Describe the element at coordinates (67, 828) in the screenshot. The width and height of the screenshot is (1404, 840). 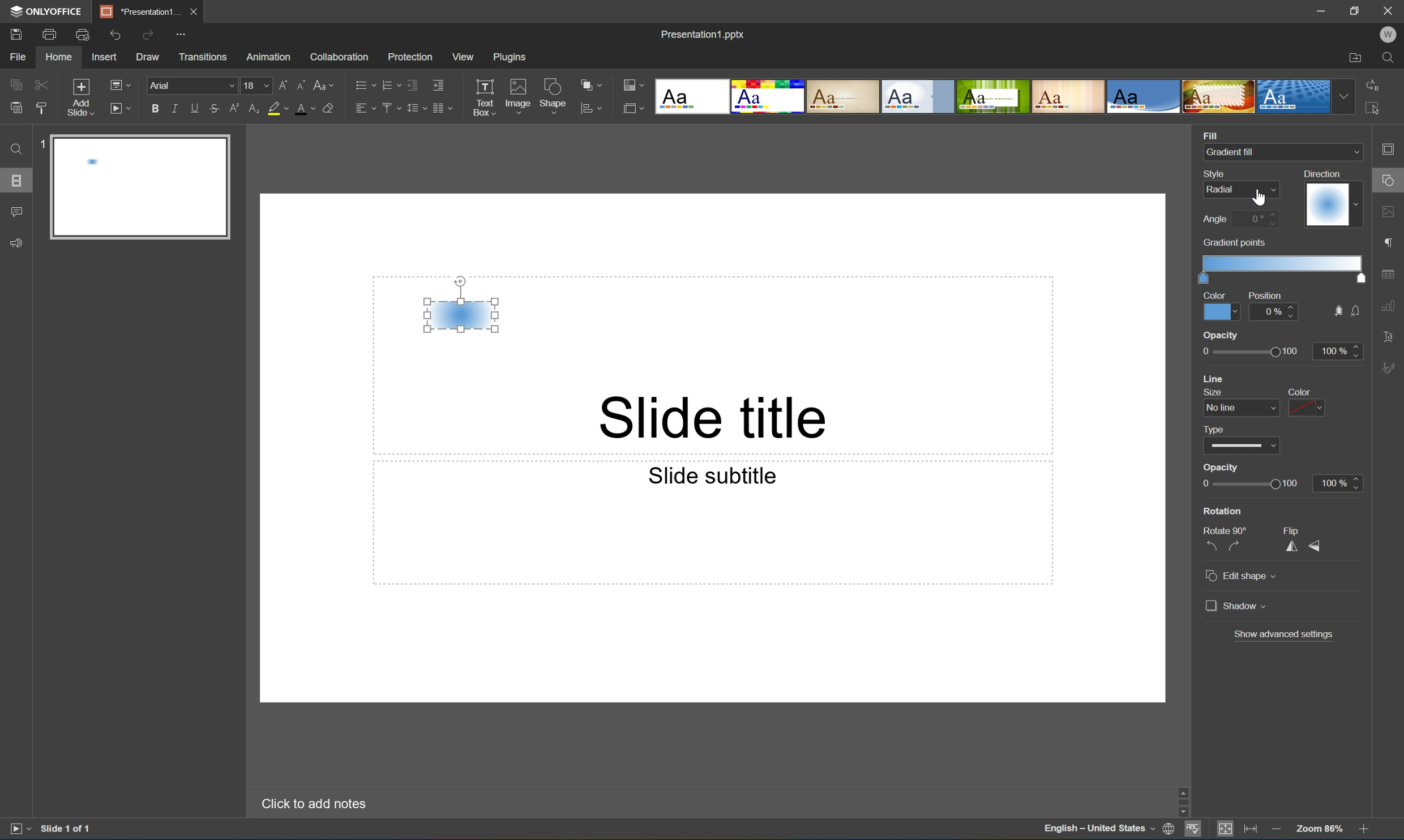
I see `Slide 1 of 1` at that location.